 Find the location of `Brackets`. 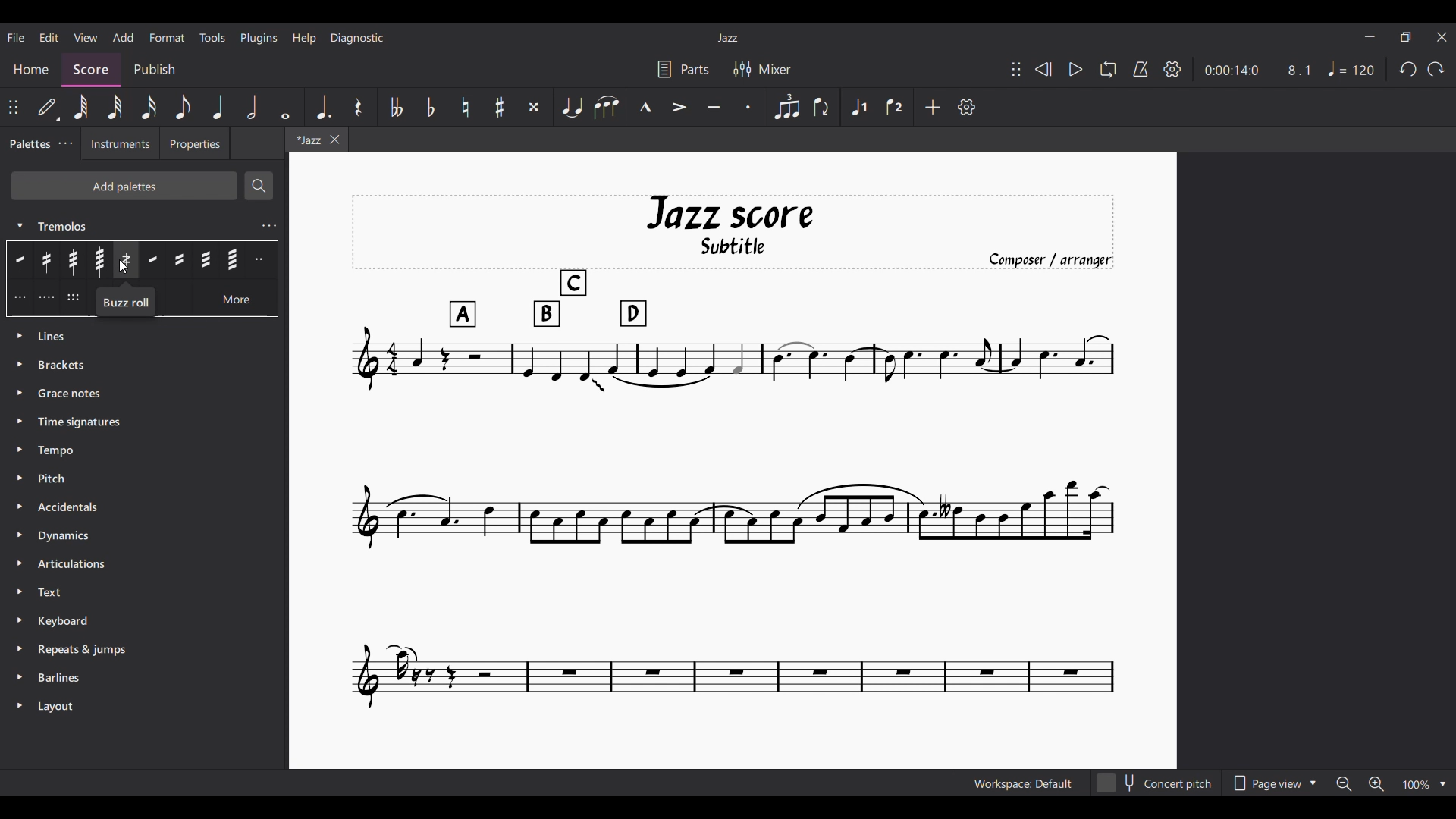

Brackets is located at coordinates (143, 365).